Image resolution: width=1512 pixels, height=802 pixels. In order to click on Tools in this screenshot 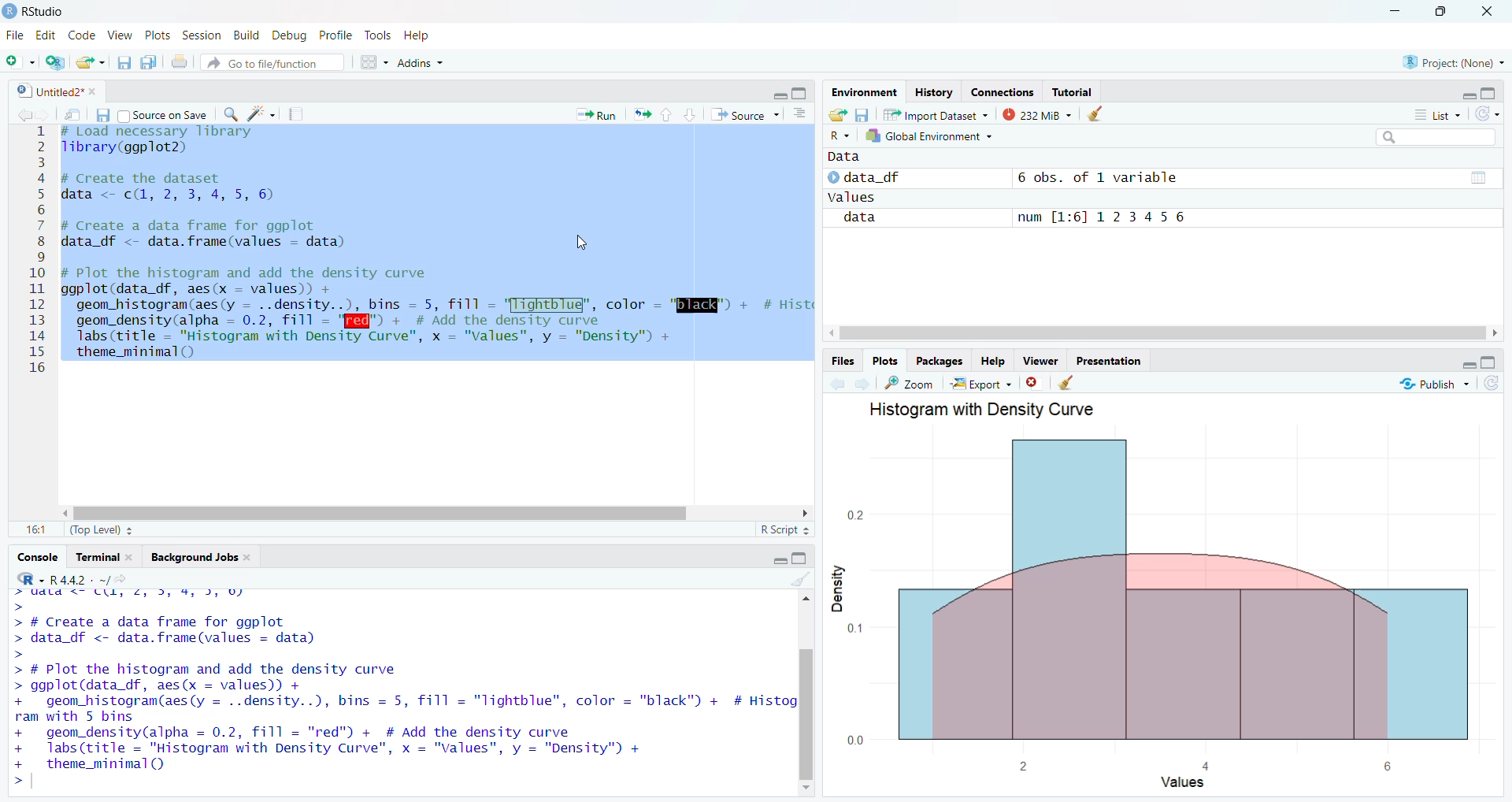, I will do `click(378, 35)`.